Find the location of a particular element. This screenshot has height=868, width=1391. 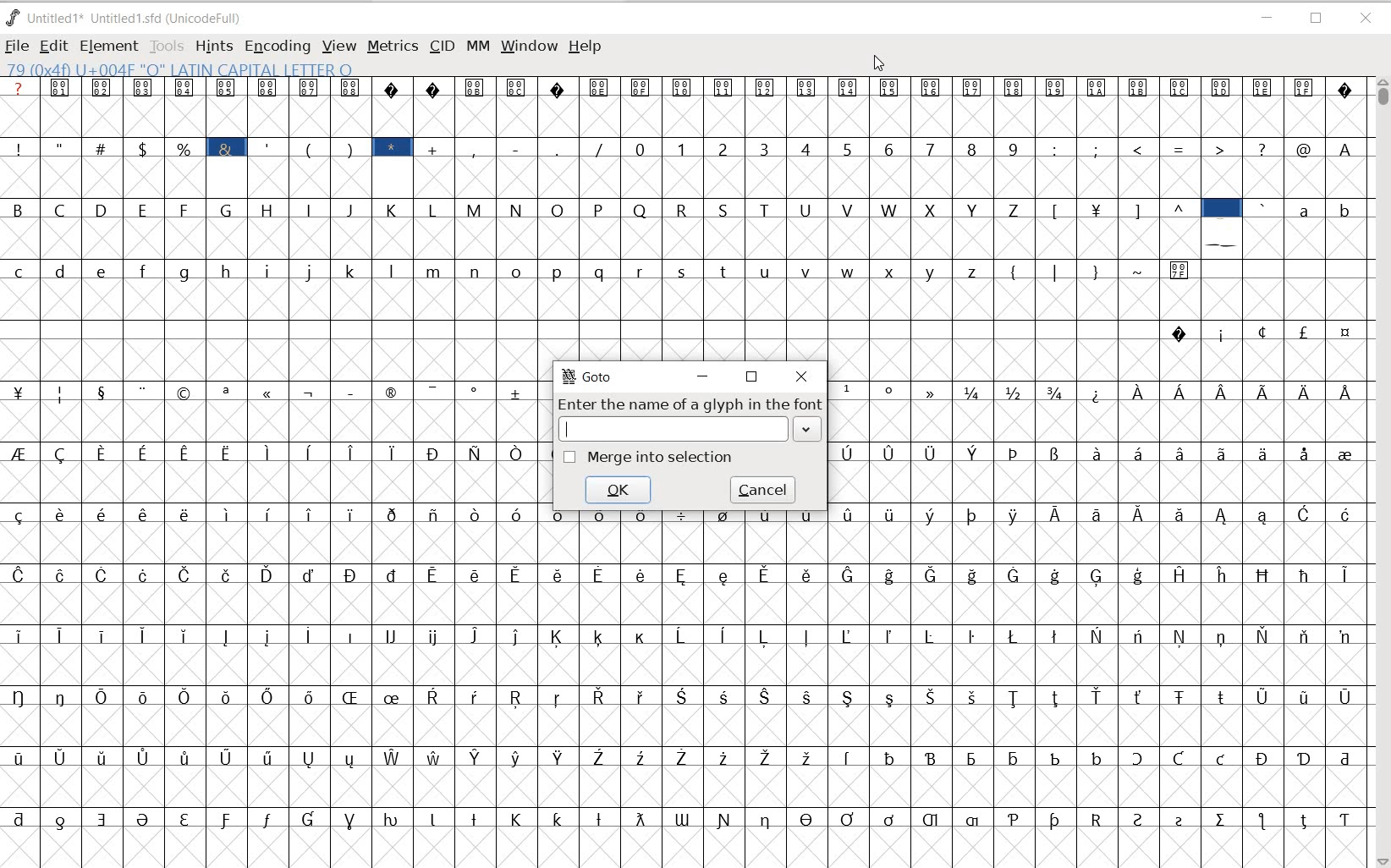

ELEMENT is located at coordinates (109, 46).